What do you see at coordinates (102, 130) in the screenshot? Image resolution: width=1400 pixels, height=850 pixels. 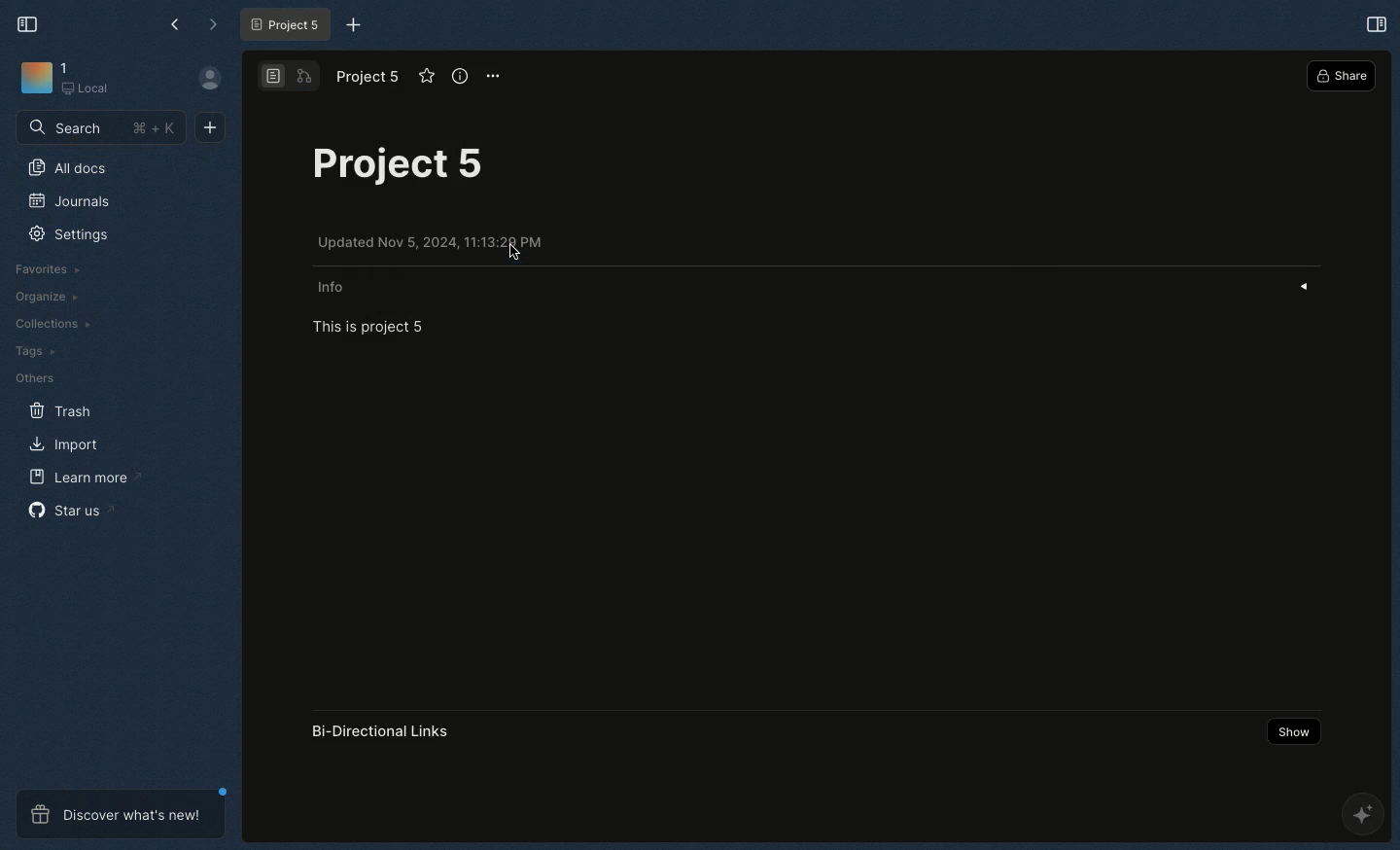 I see `Search` at bounding box center [102, 130].